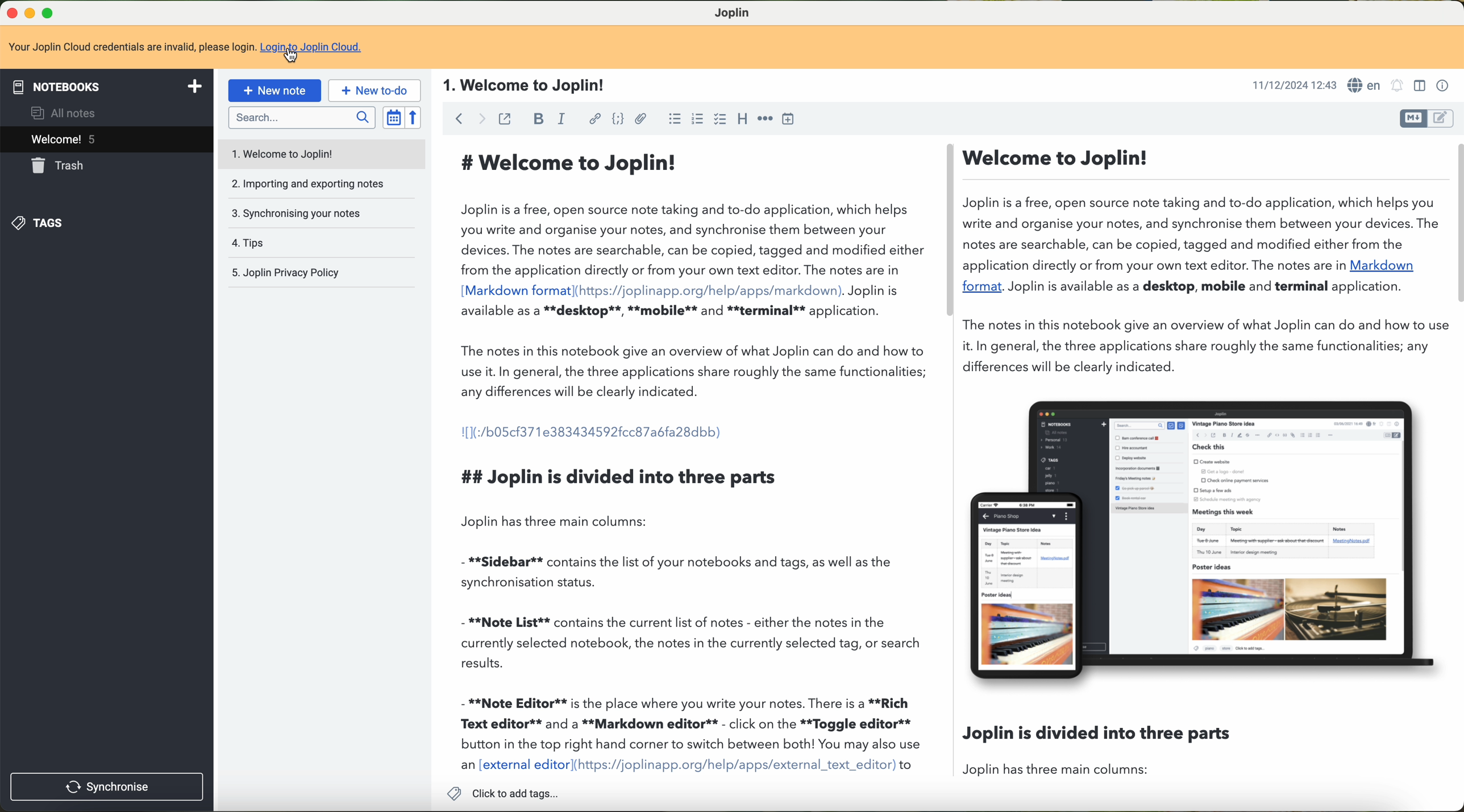 This screenshot has height=812, width=1464. I want to click on maximize, so click(52, 14).